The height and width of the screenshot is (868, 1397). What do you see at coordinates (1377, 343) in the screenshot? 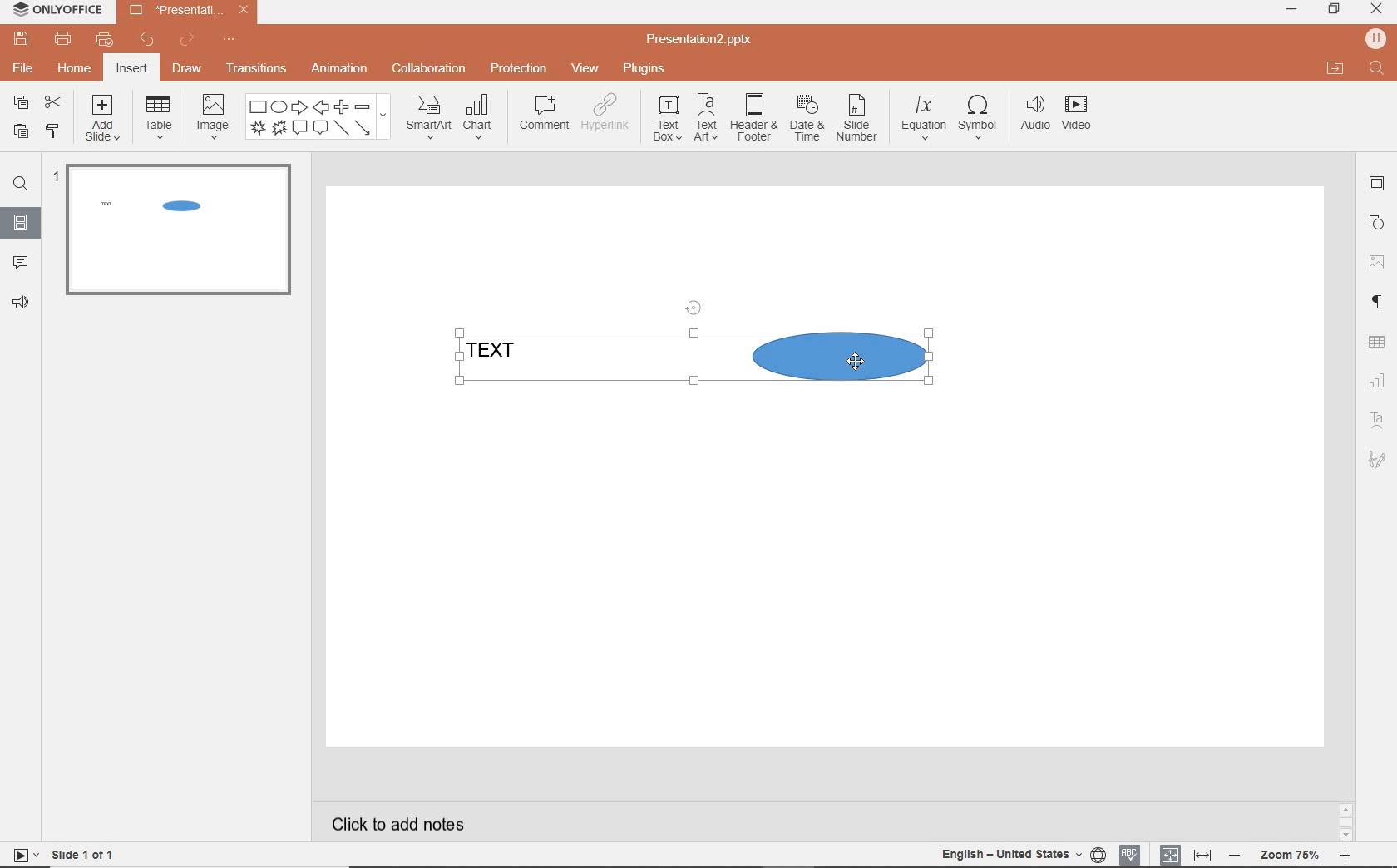
I see `TABLE SETTINGS` at bounding box center [1377, 343].